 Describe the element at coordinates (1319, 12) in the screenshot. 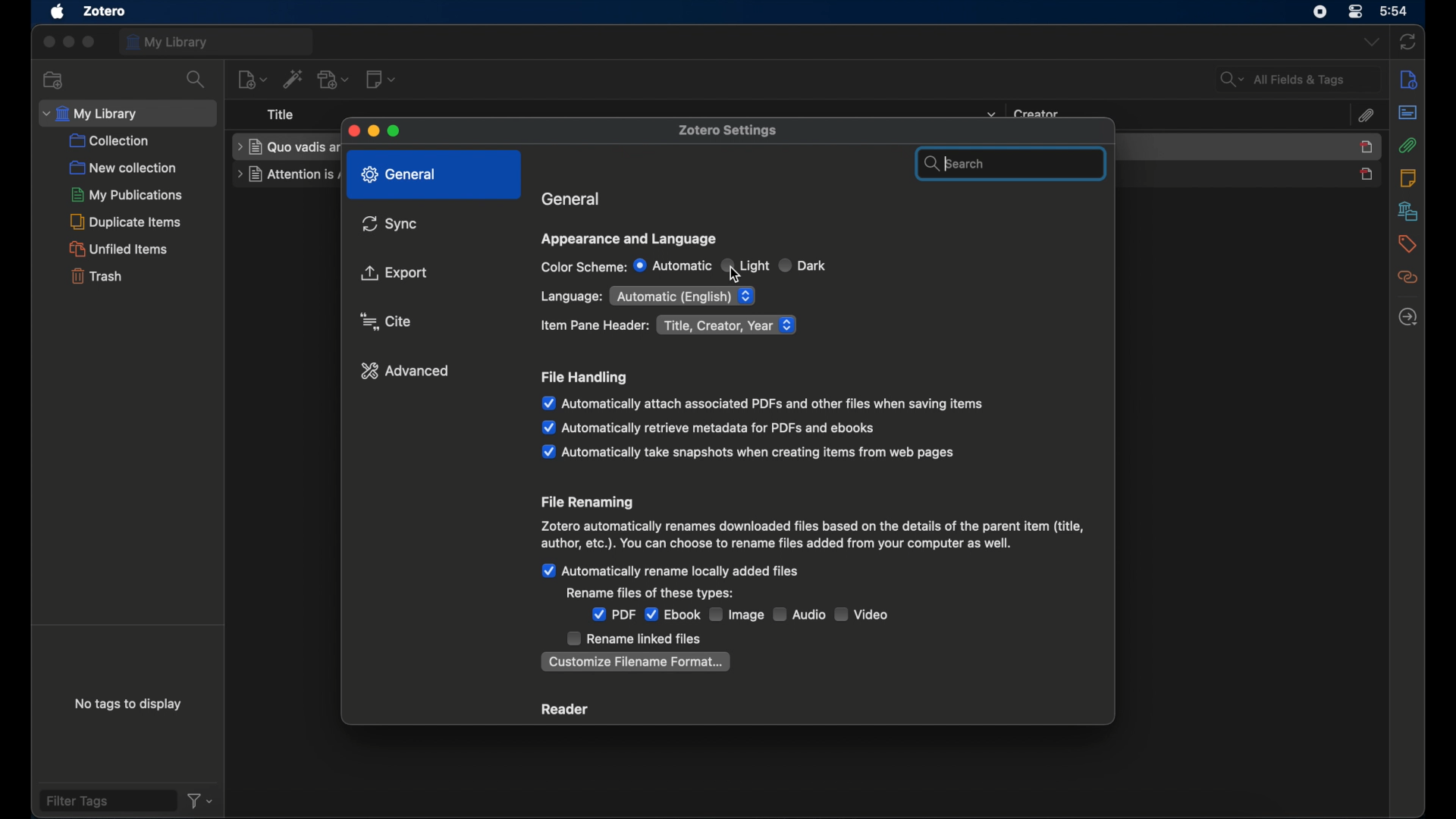

I see `control center` at that location.